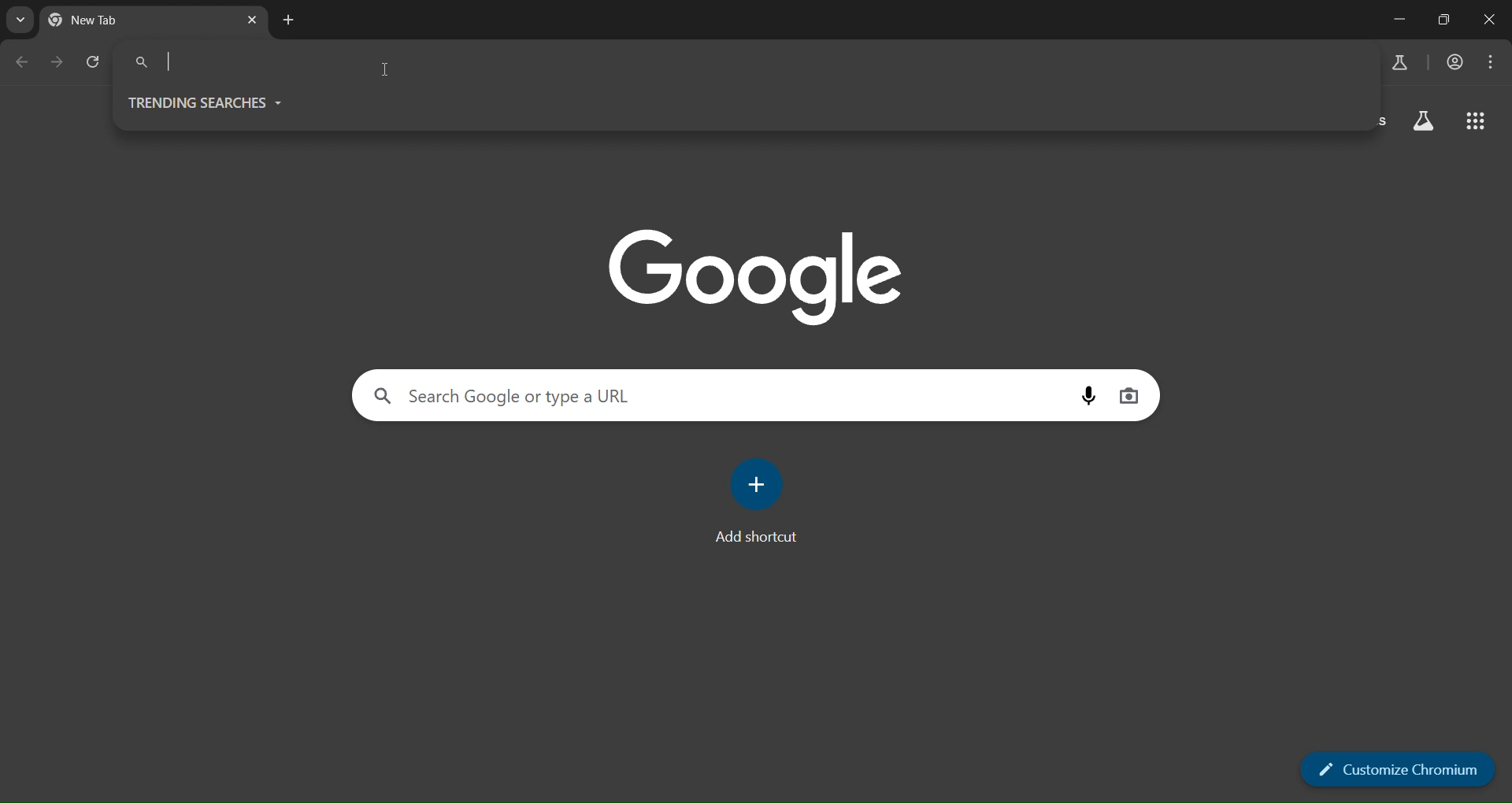 This screenshot has height=803, width=1512. Describe the element at coordinates (710, 398) in the screenshot. I see `search panel` at that location.